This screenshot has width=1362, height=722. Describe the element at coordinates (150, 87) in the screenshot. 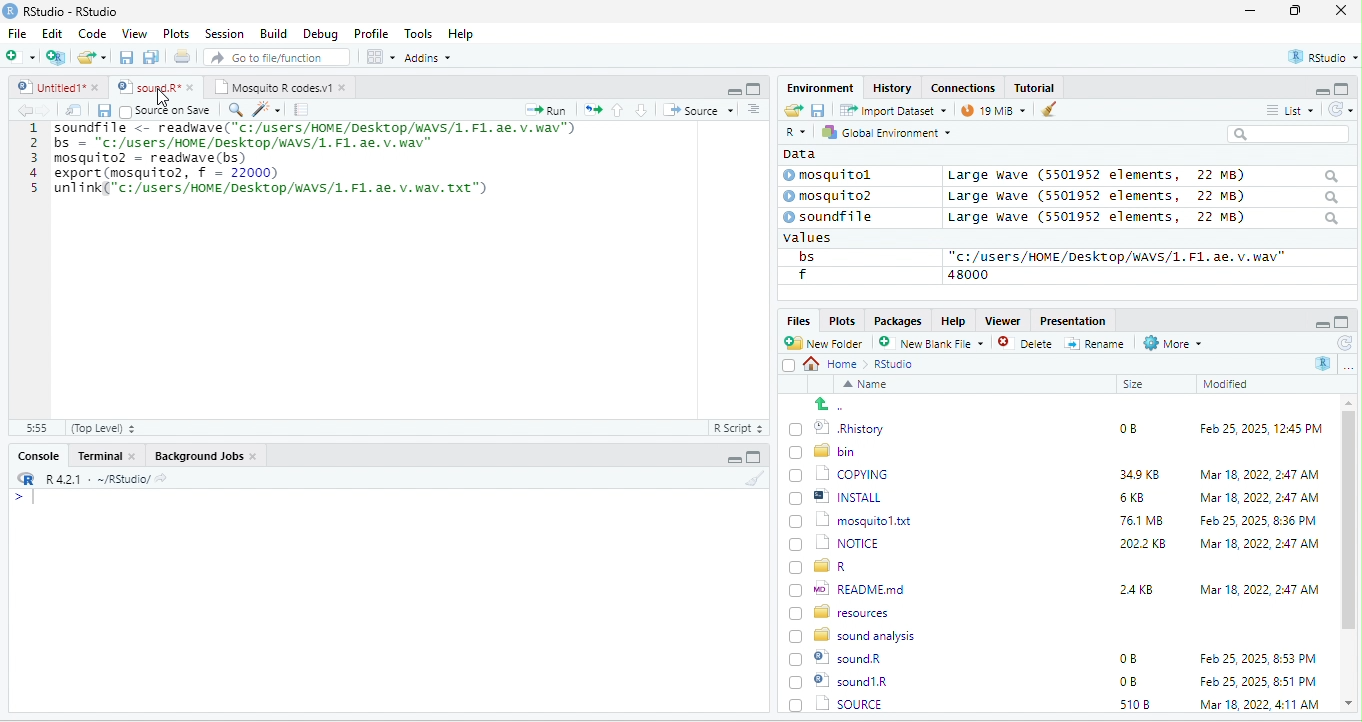

I see `‘Mosquito R codes.vi` at that location.